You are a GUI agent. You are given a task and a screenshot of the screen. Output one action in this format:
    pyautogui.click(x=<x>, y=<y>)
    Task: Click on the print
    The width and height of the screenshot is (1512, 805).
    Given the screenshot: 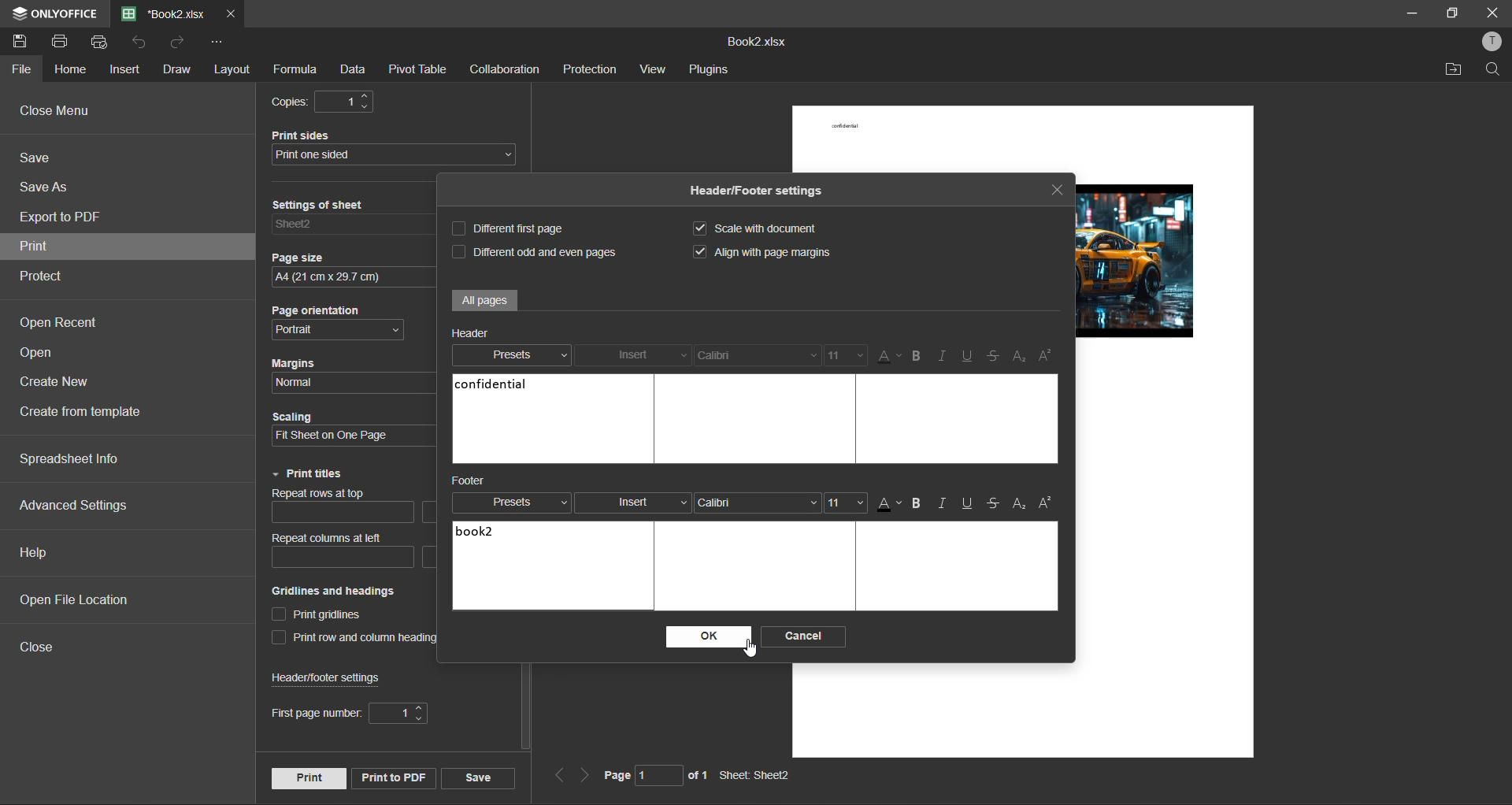 What is the action you would take?
    pyautogui.click(x=34, y=247)
    